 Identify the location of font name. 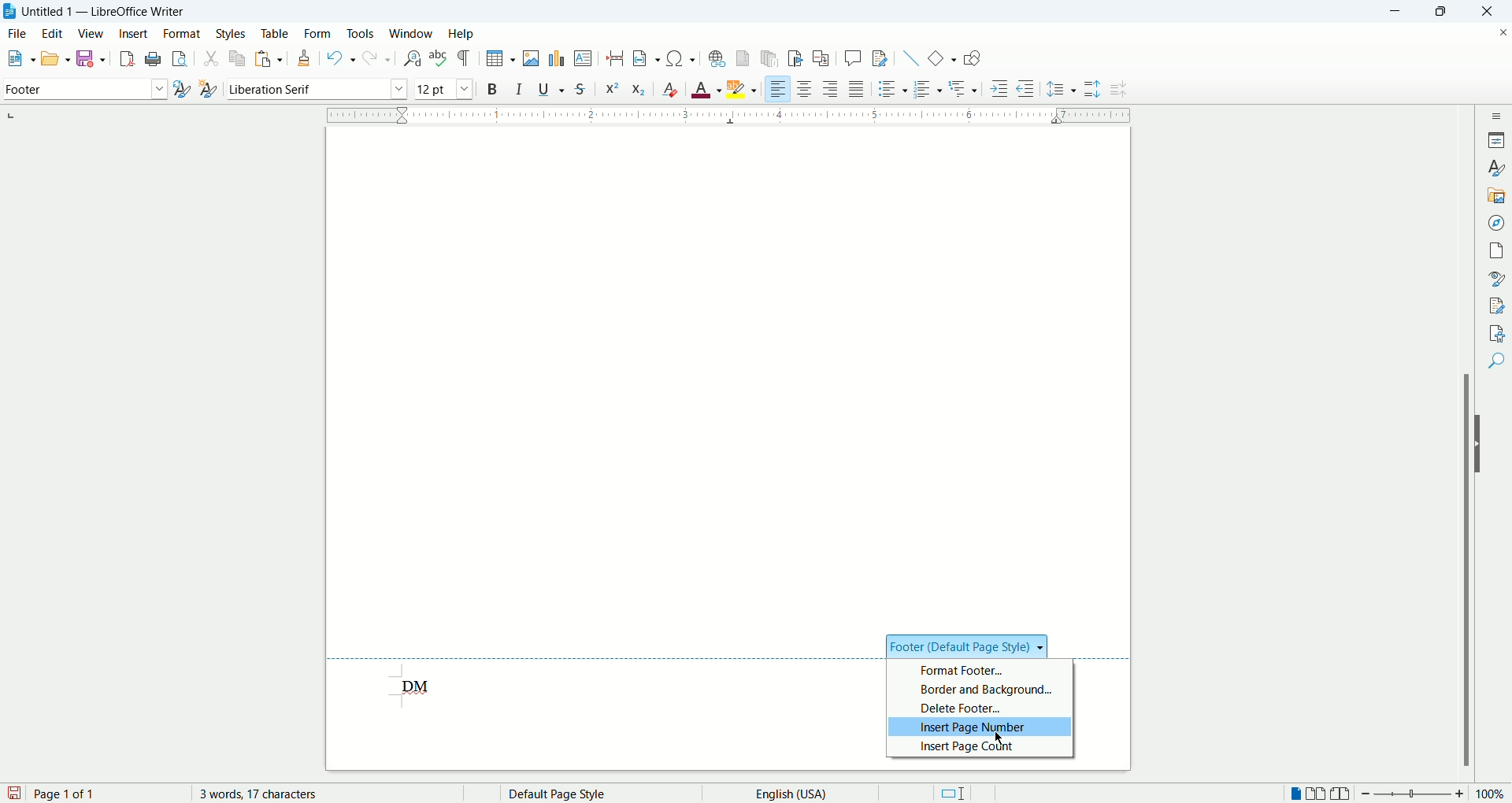
(317, 89).